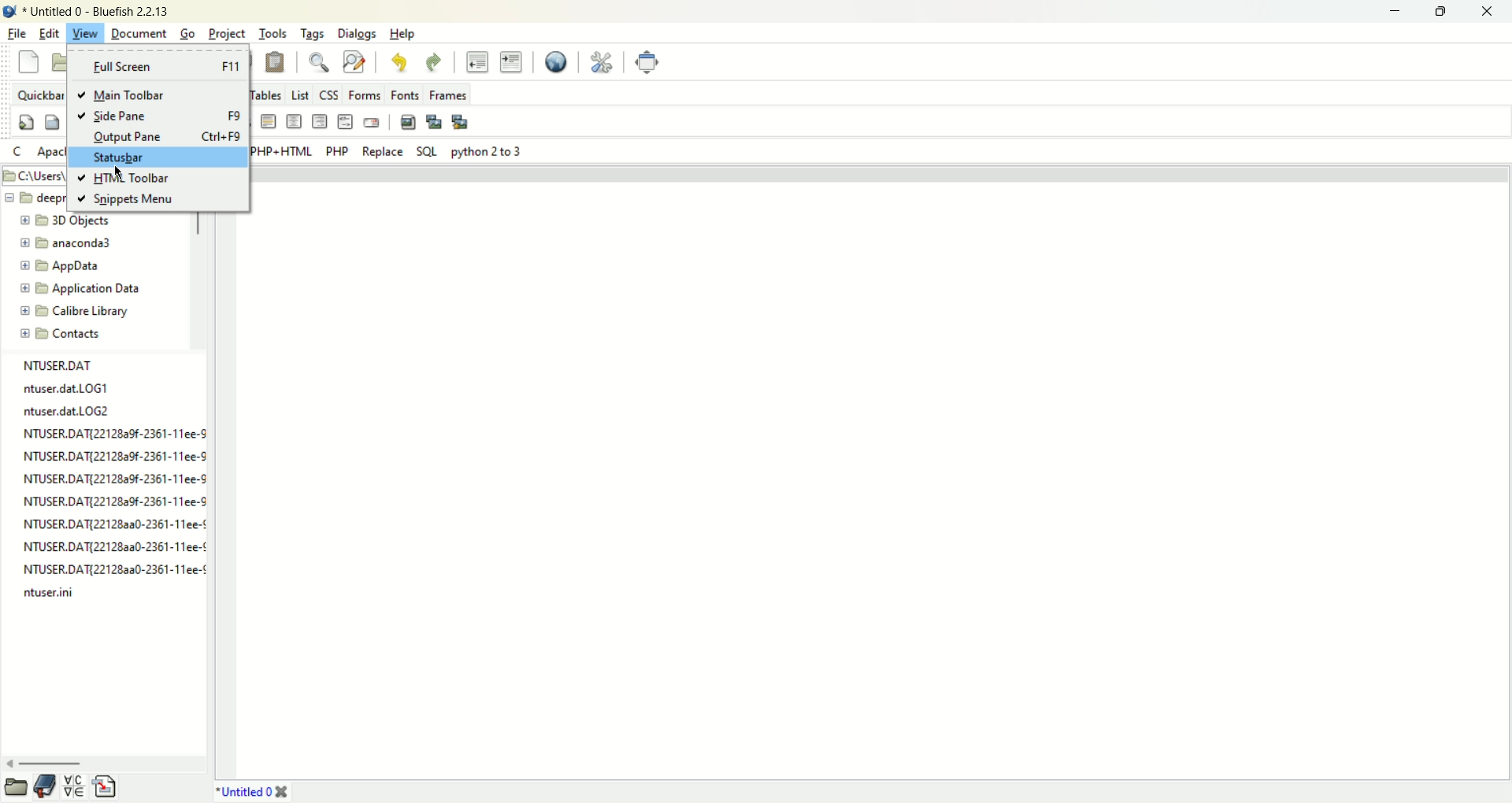 This screenshot has width=1512, height=803. Describe the element at coordinates (97, 309) in the screenshot. I see `new folder` at that location.